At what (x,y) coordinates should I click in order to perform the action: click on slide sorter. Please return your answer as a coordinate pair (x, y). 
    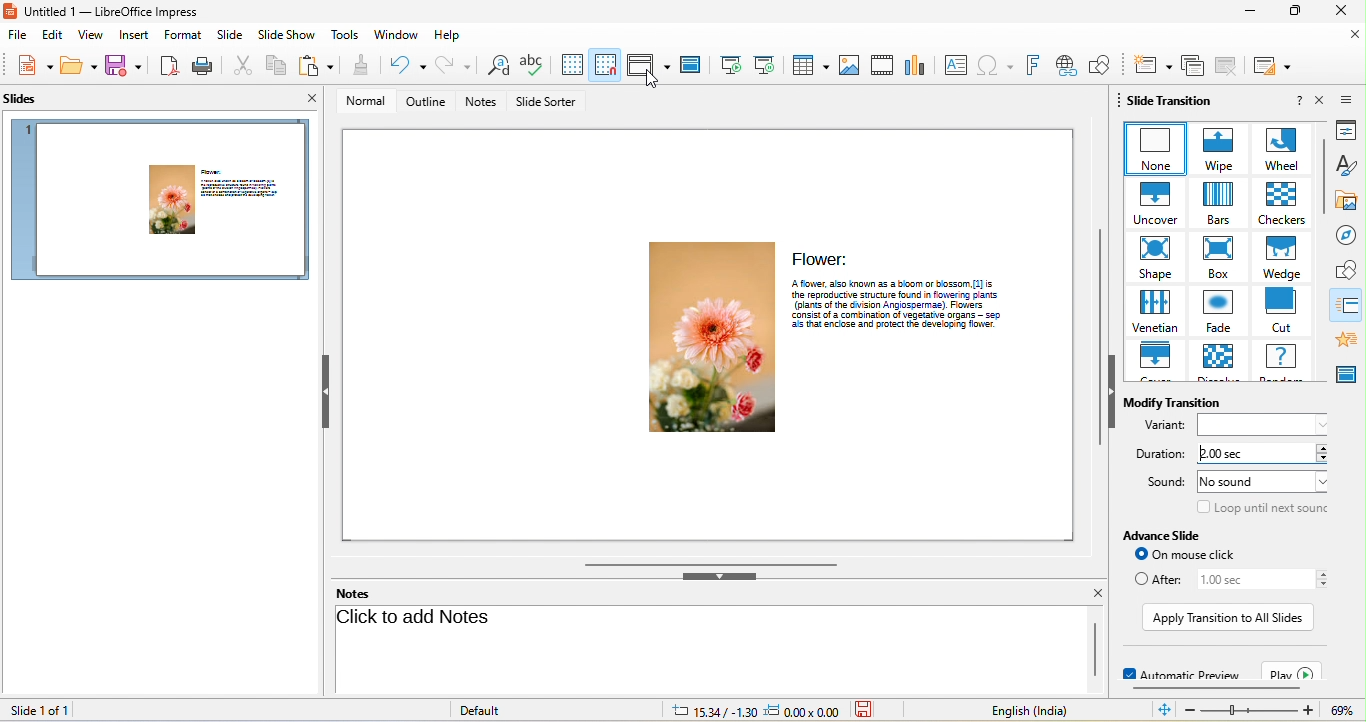
    Looking at the image, I should click on (549, 102).